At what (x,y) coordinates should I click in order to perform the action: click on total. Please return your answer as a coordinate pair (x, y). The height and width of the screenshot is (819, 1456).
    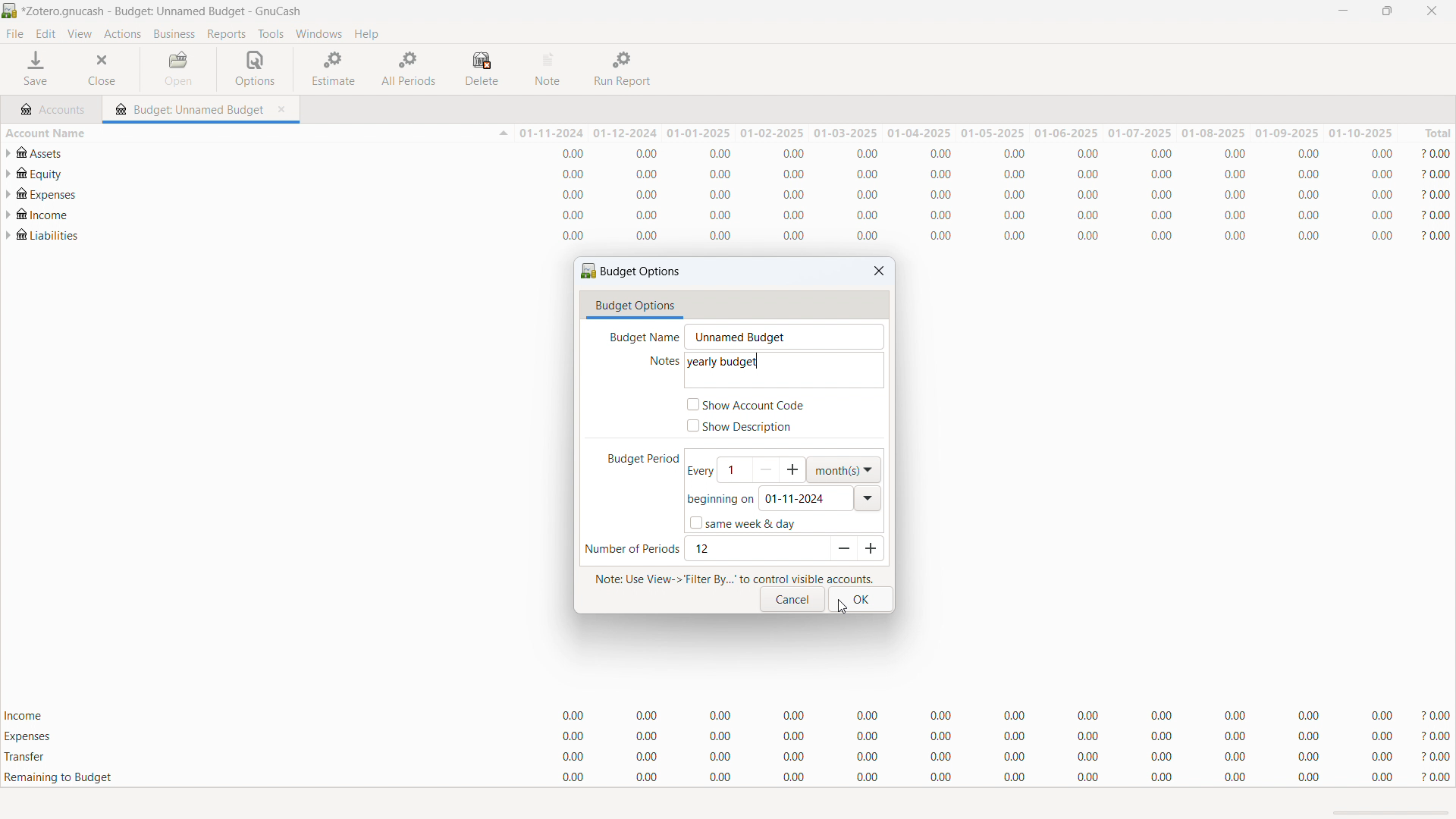
    Looking at the image, I should click on (1427, 133).